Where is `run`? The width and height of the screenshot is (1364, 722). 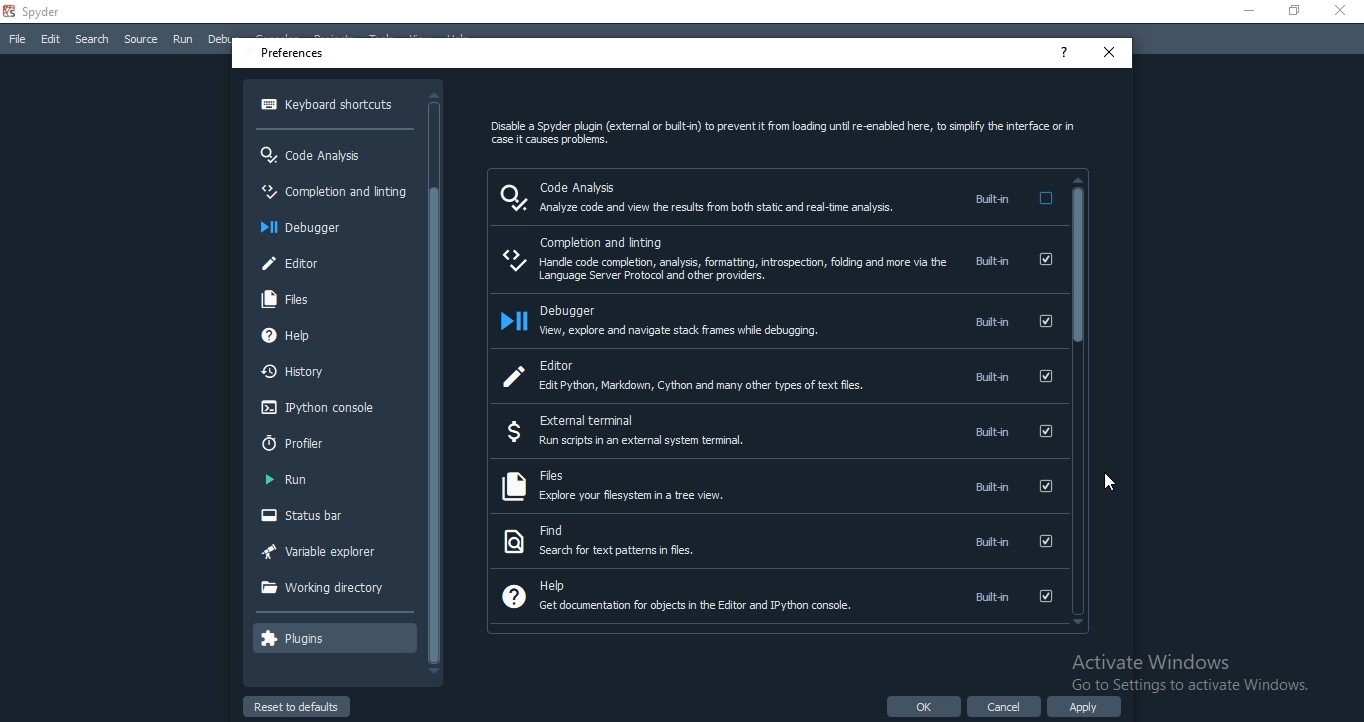
run is located at coordinates (329, 479).